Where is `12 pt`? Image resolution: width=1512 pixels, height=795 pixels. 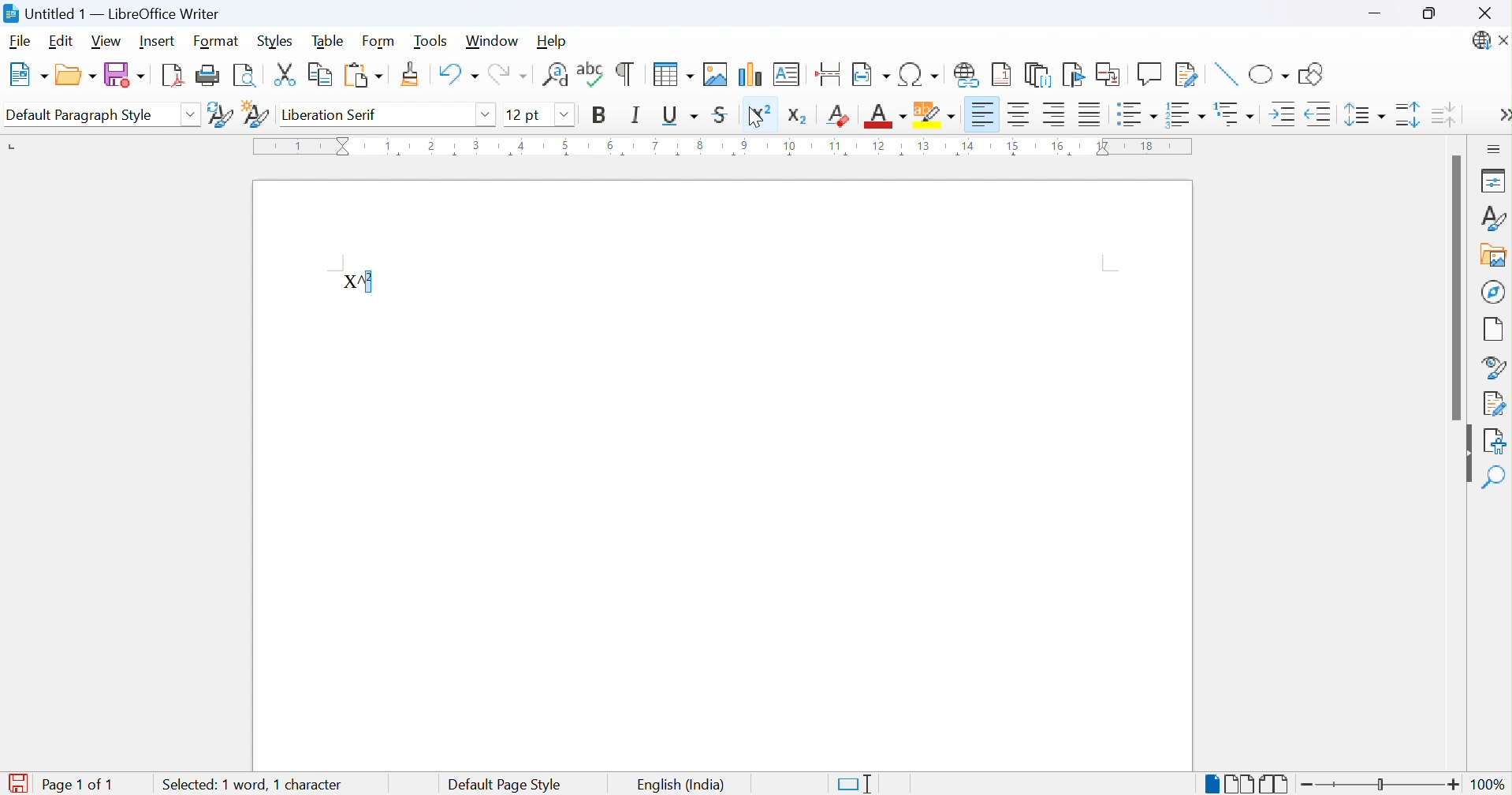 12 pt is located at coordinates (523, 113).